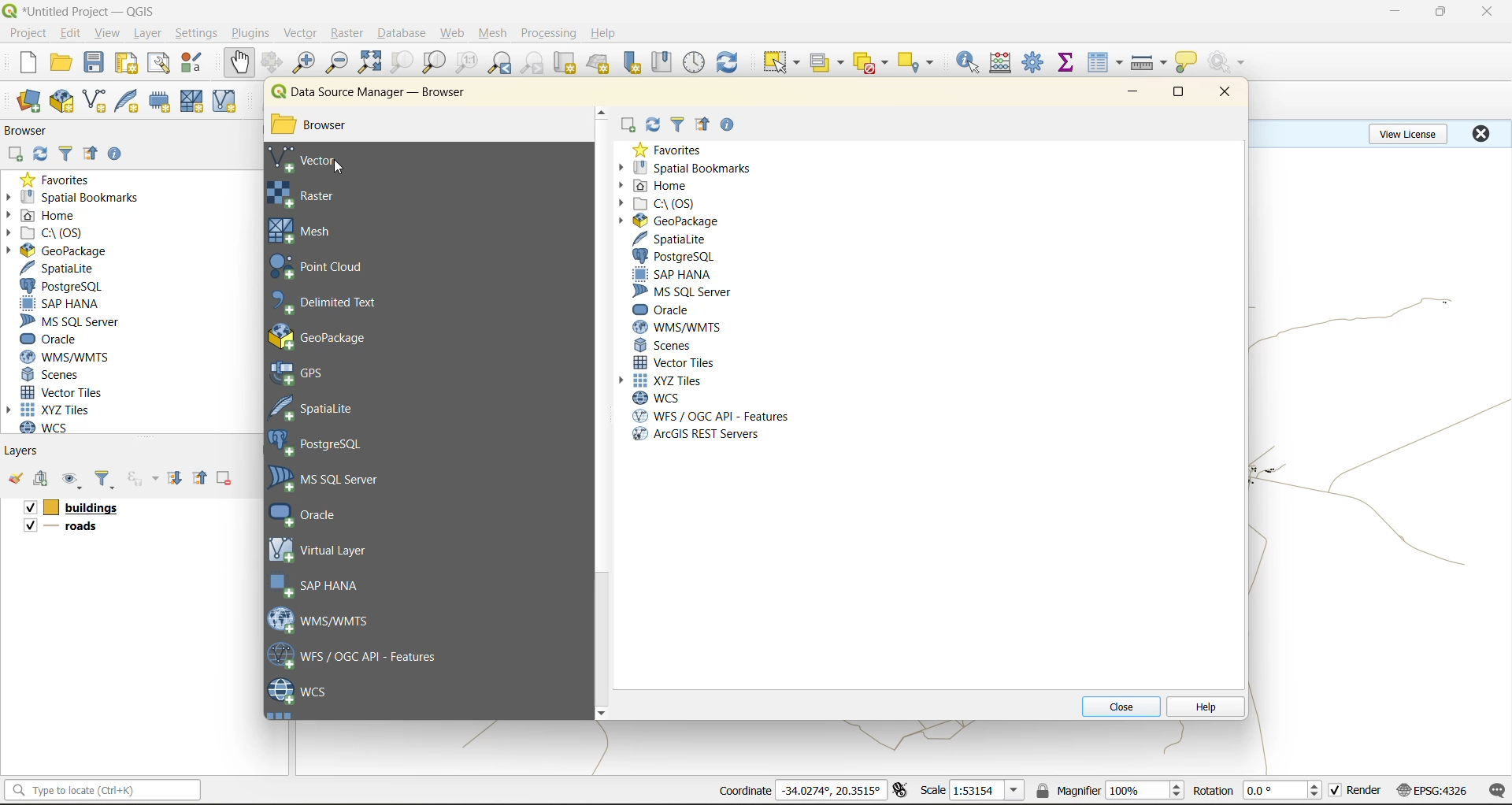 The height and width of the screenshot is (805, 1512). What do you see at coordinates (322, 549) in the screenshot?
I see `virtual layer` at bounding box center [322, 549].